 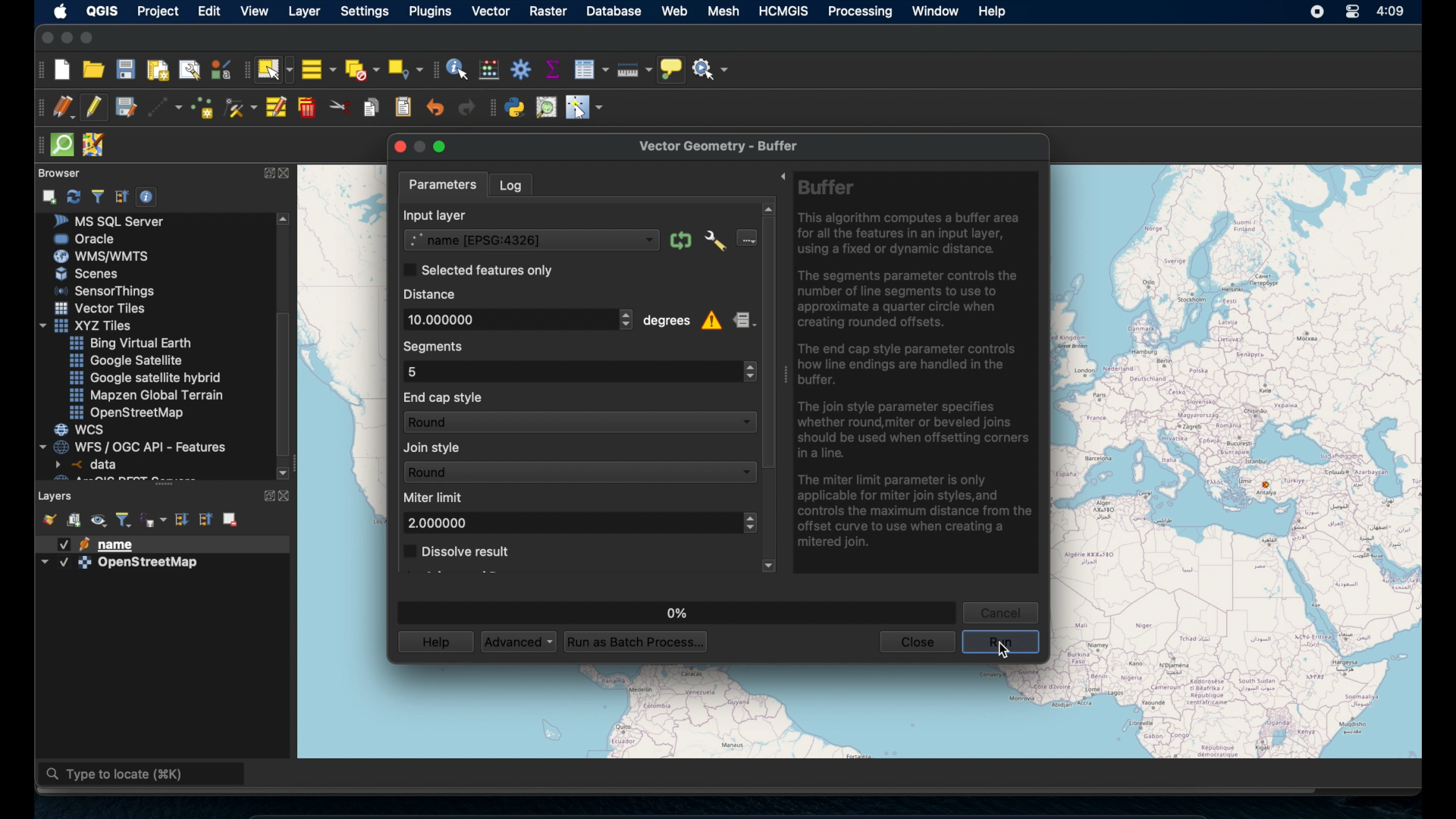 What do you see at coordinates (112, 478) in the screenshot?
I see `hidden text` at bounding box center [112, 478].